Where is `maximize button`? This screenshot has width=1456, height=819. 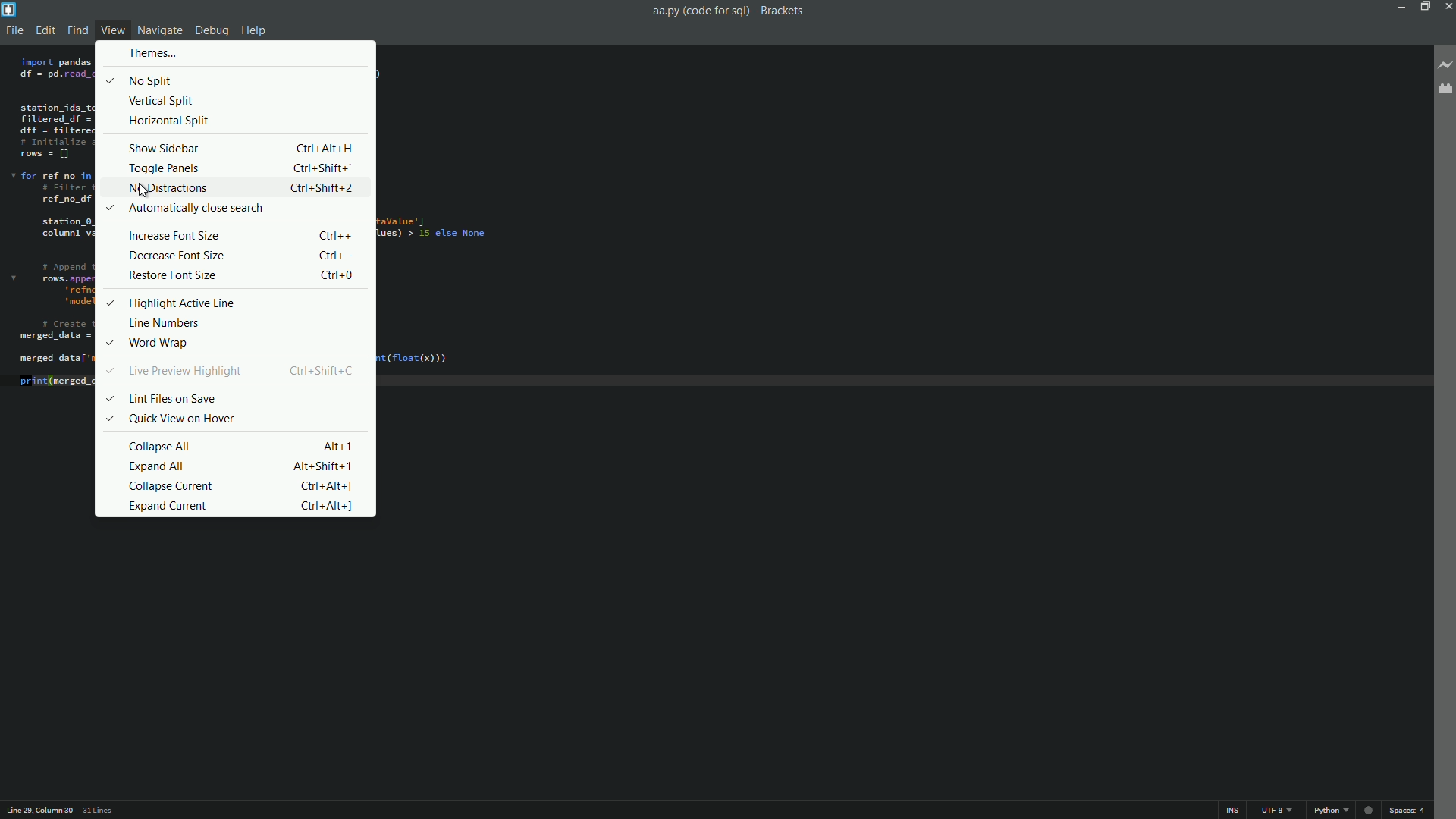
maximize button is located at coordinates (1423, 6).